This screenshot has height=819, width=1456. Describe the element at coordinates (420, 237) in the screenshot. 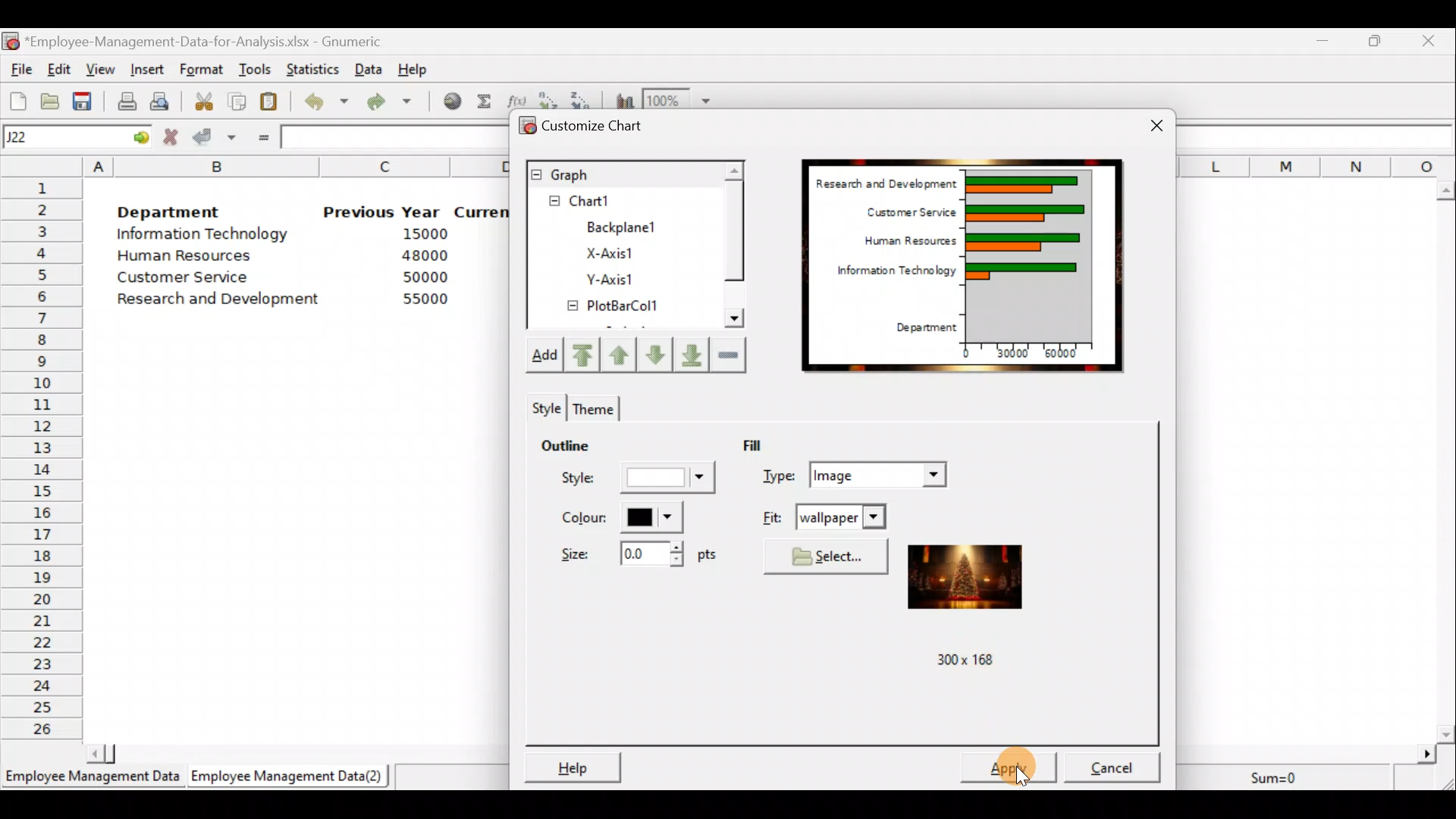

I see `15000` at that location.